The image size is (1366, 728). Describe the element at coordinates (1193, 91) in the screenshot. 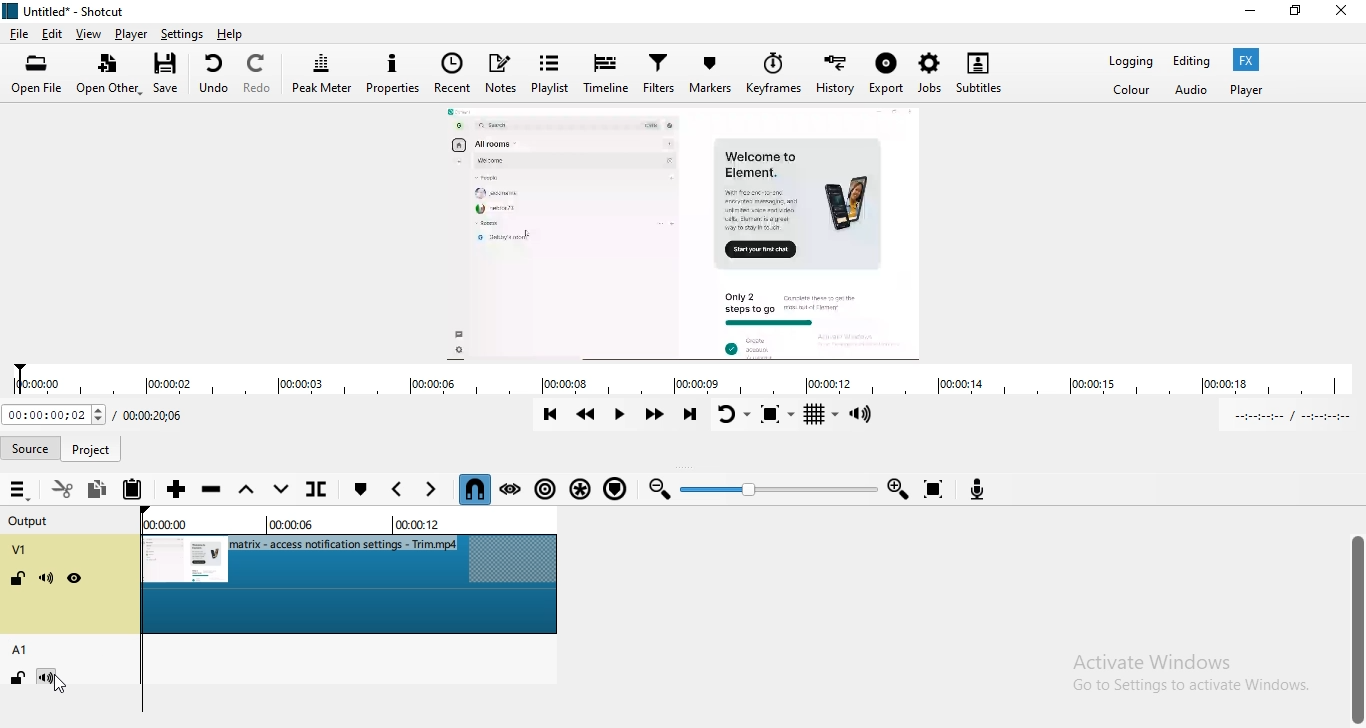

I see `Audio` at that location.